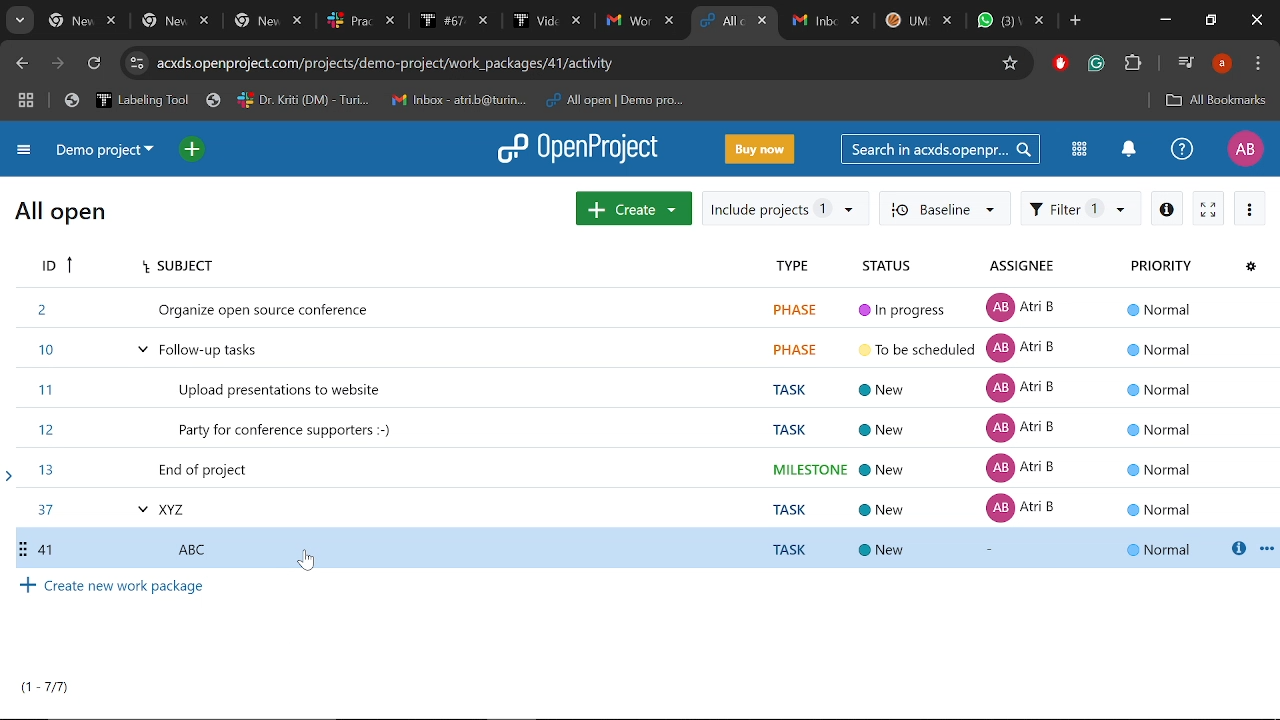 This screenshot has height=720, width=1280. I want to click on Grmmarly, so click(1098, 66).